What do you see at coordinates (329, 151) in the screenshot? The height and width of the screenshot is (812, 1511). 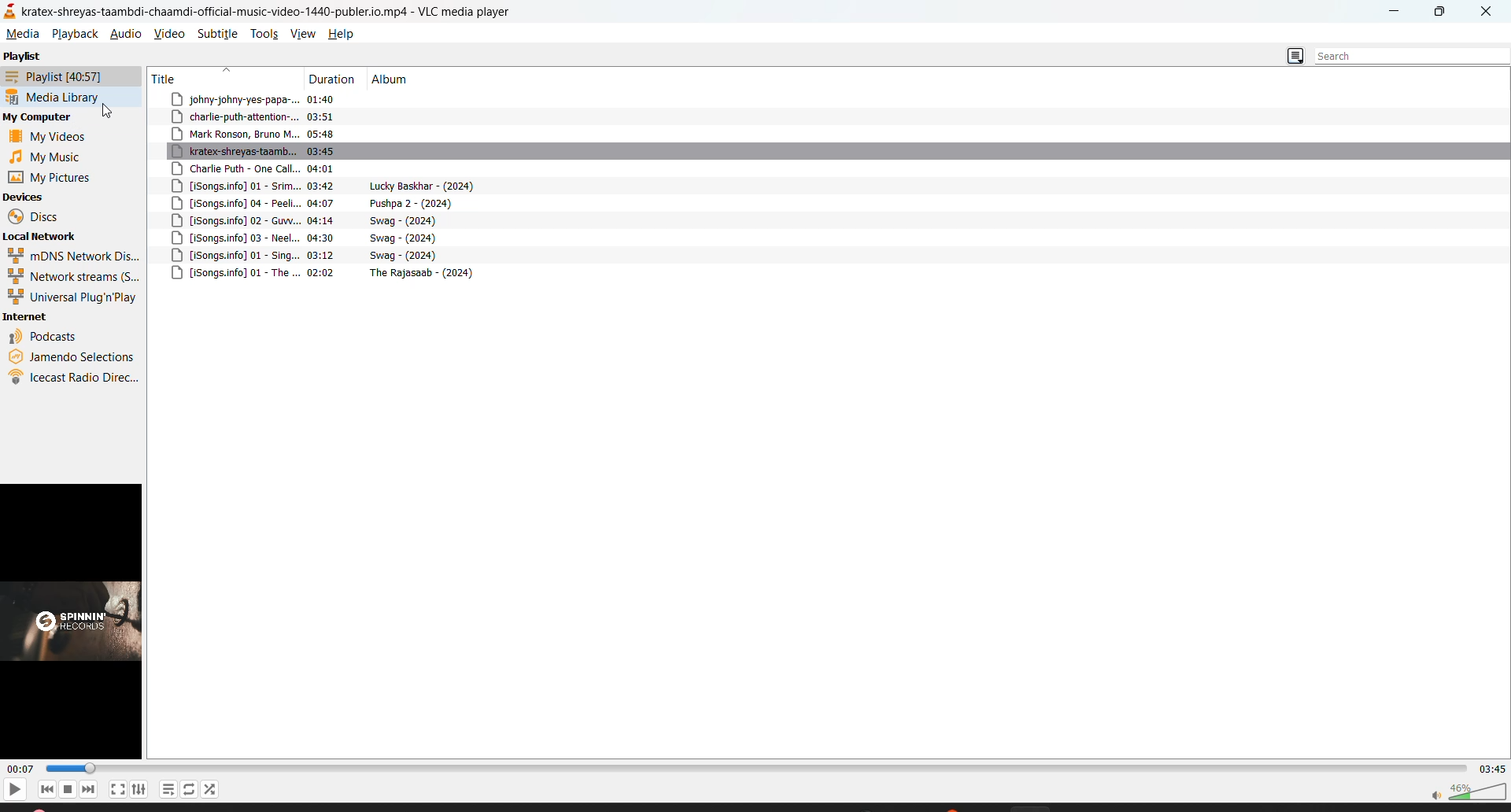 I see `track title , duration and album` at bounding box center [329, 151].